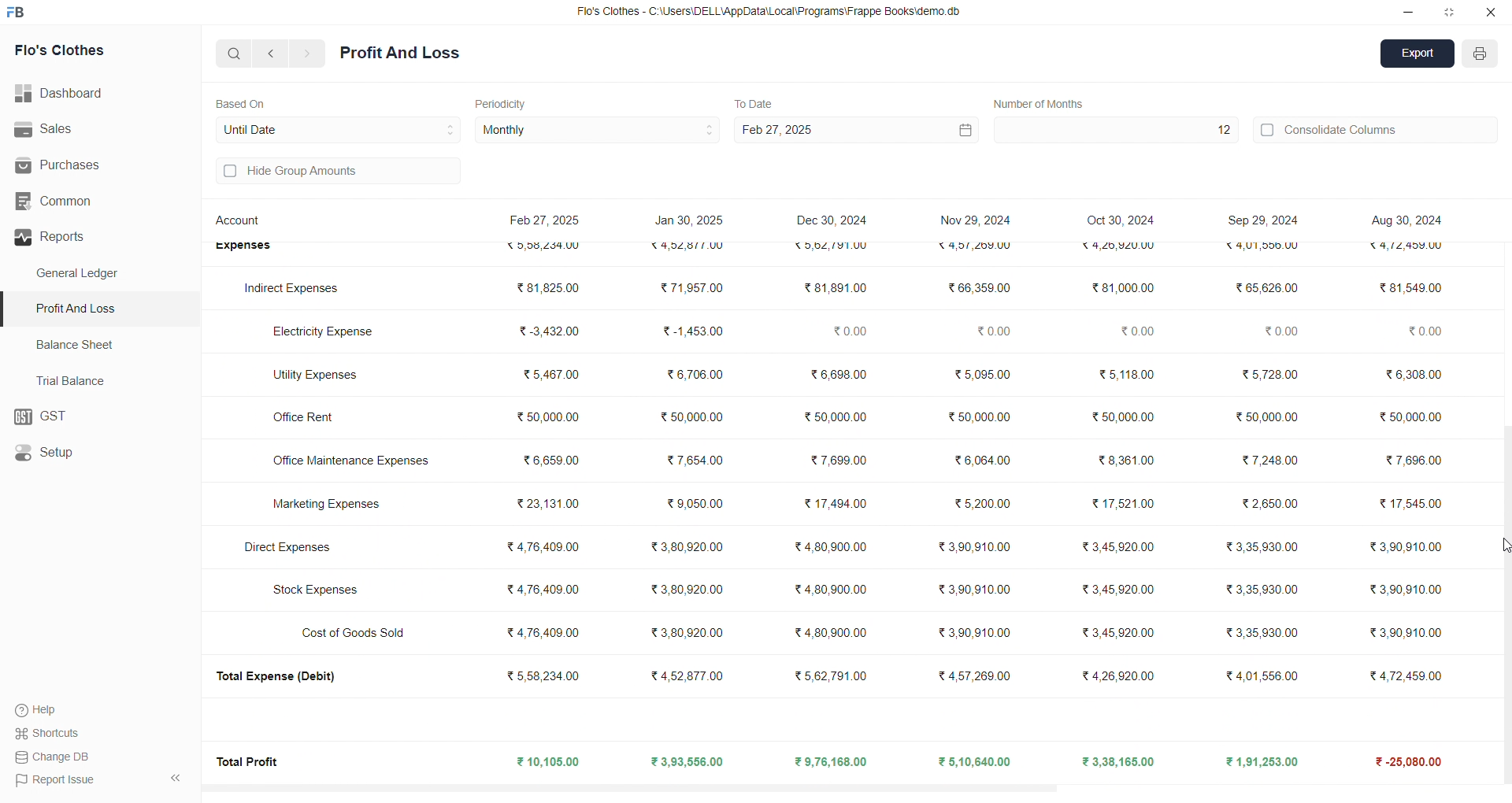 The width and height of the screenshot is (1512, 803). I want to click on collapse sidebar, so click(175, 779).